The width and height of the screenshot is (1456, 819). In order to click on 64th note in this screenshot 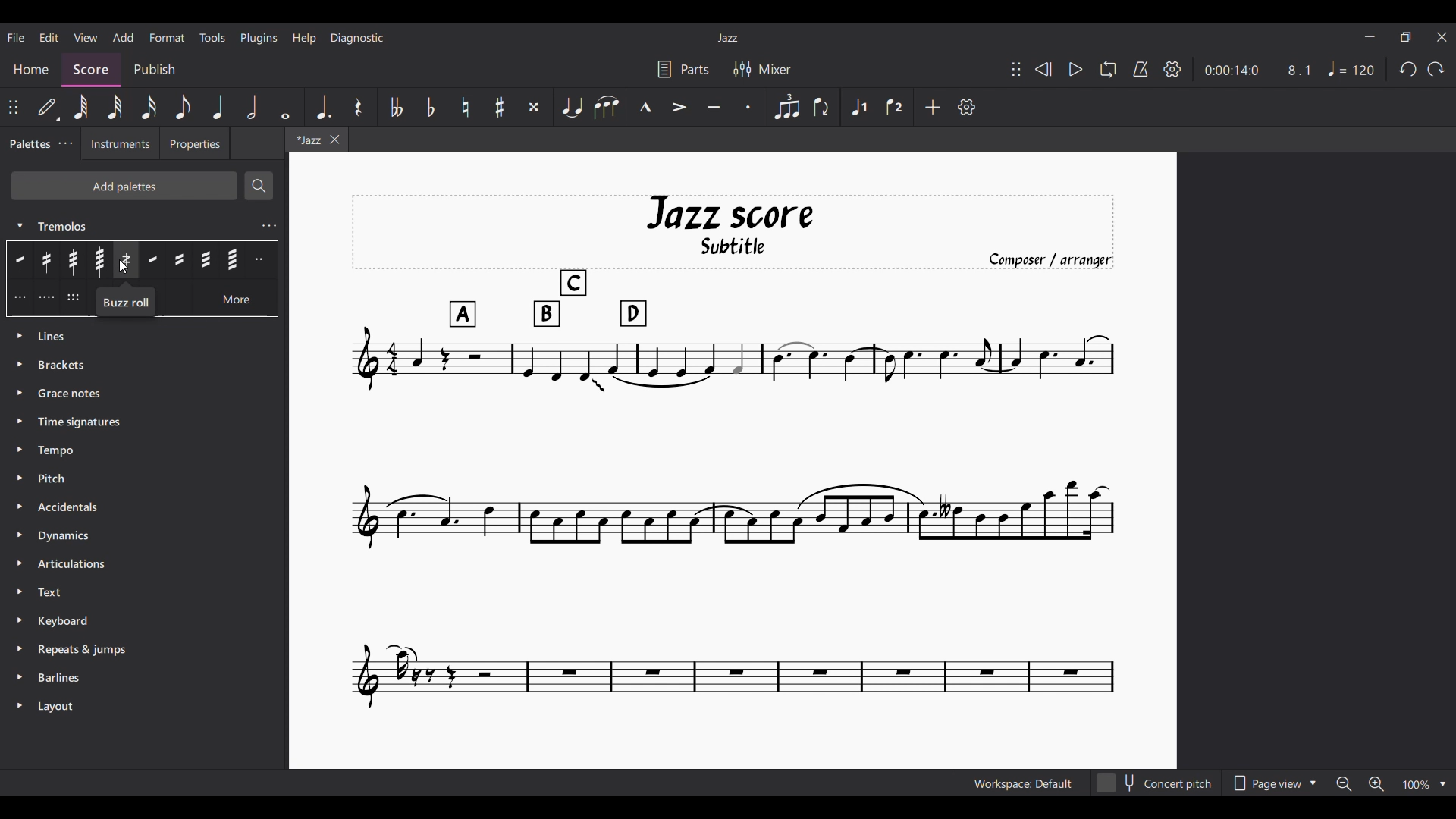, I will do `click(80, 107)`.